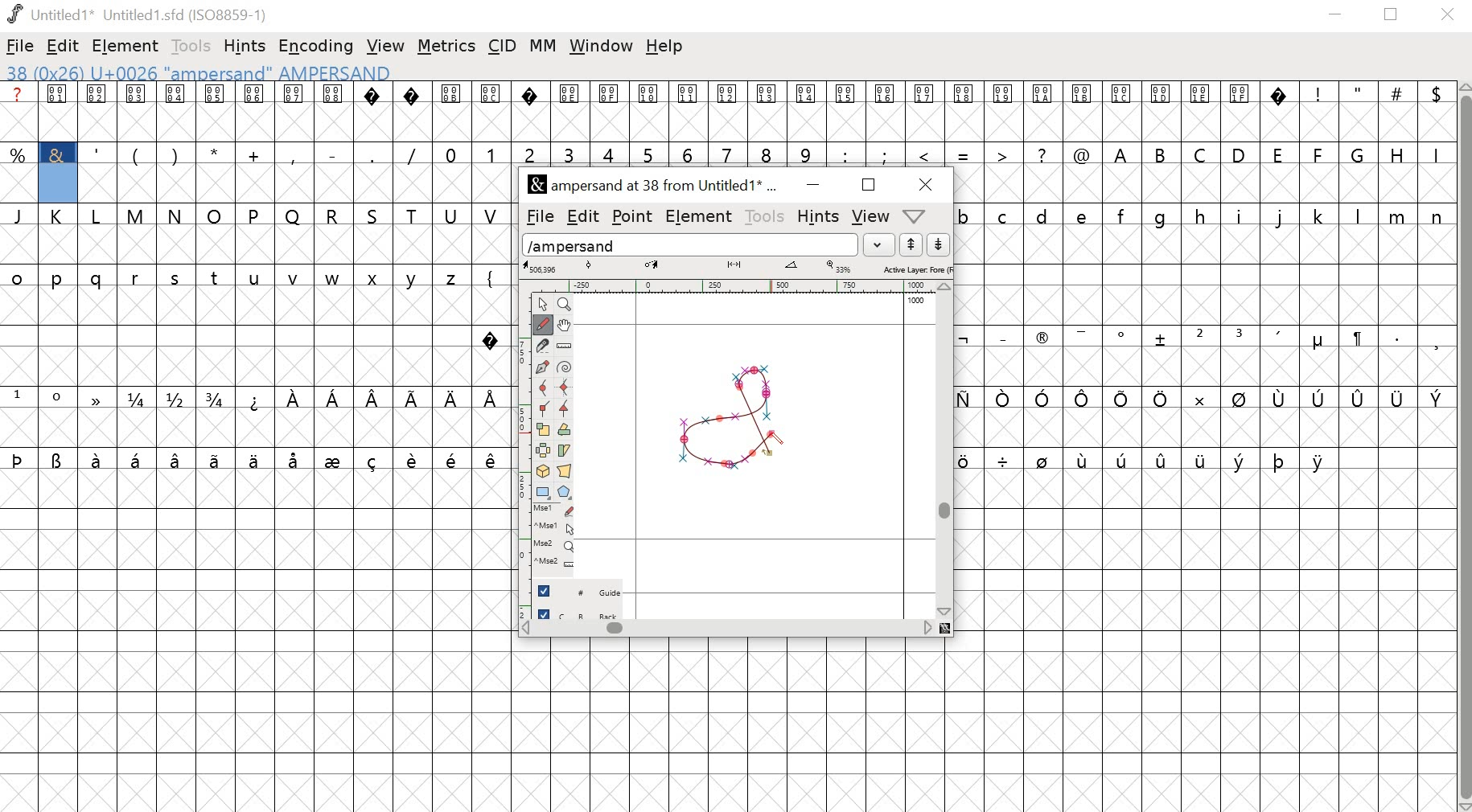 The height and width of the screenshot is (812, 1472). What do you see at coordinates (256, 399) in the screenshot?
I see `symbol` at bounding box center [256, 399].